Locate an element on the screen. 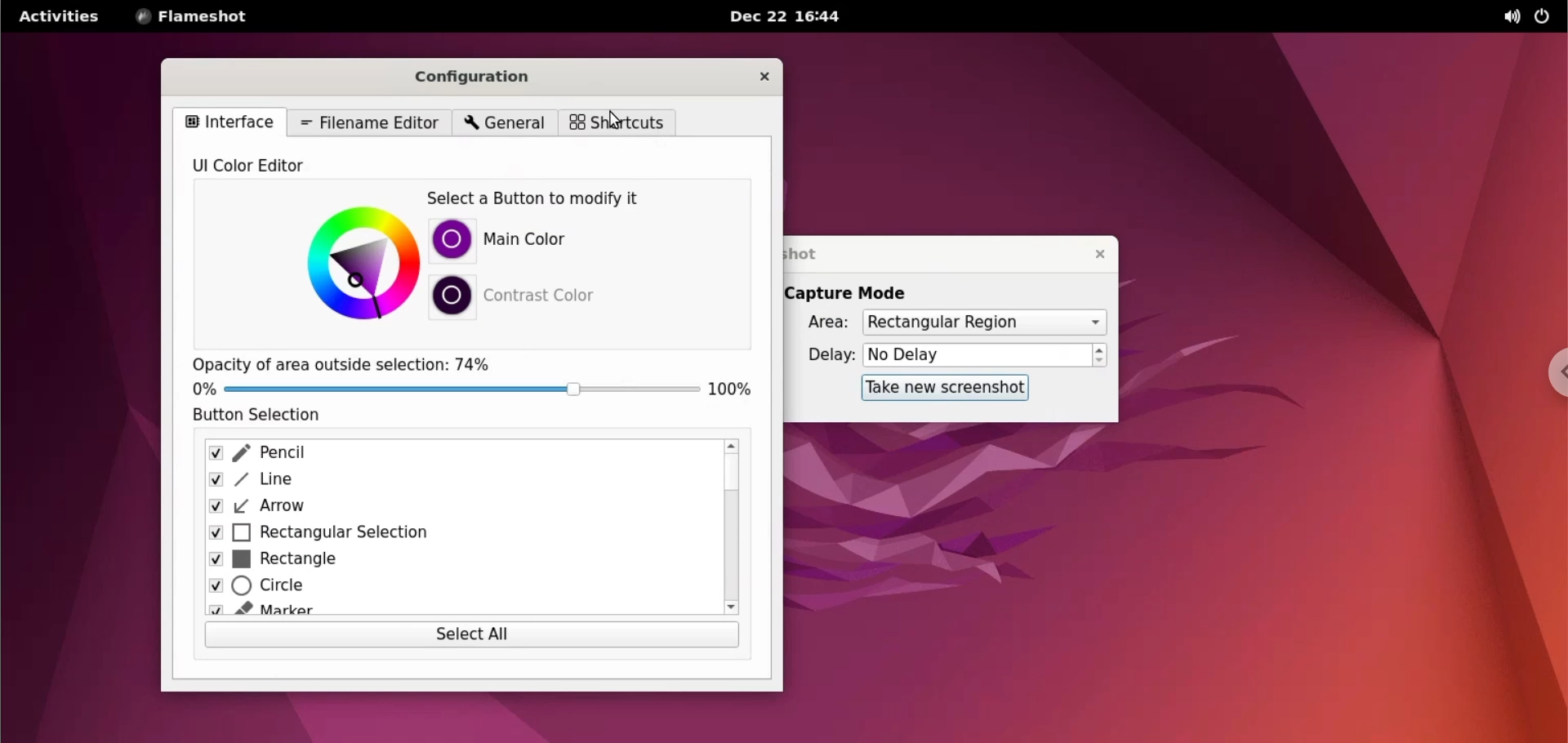 The width and height of the screenshot is (1568, 743). marker checkbox  is located at coordinates (458, 608).